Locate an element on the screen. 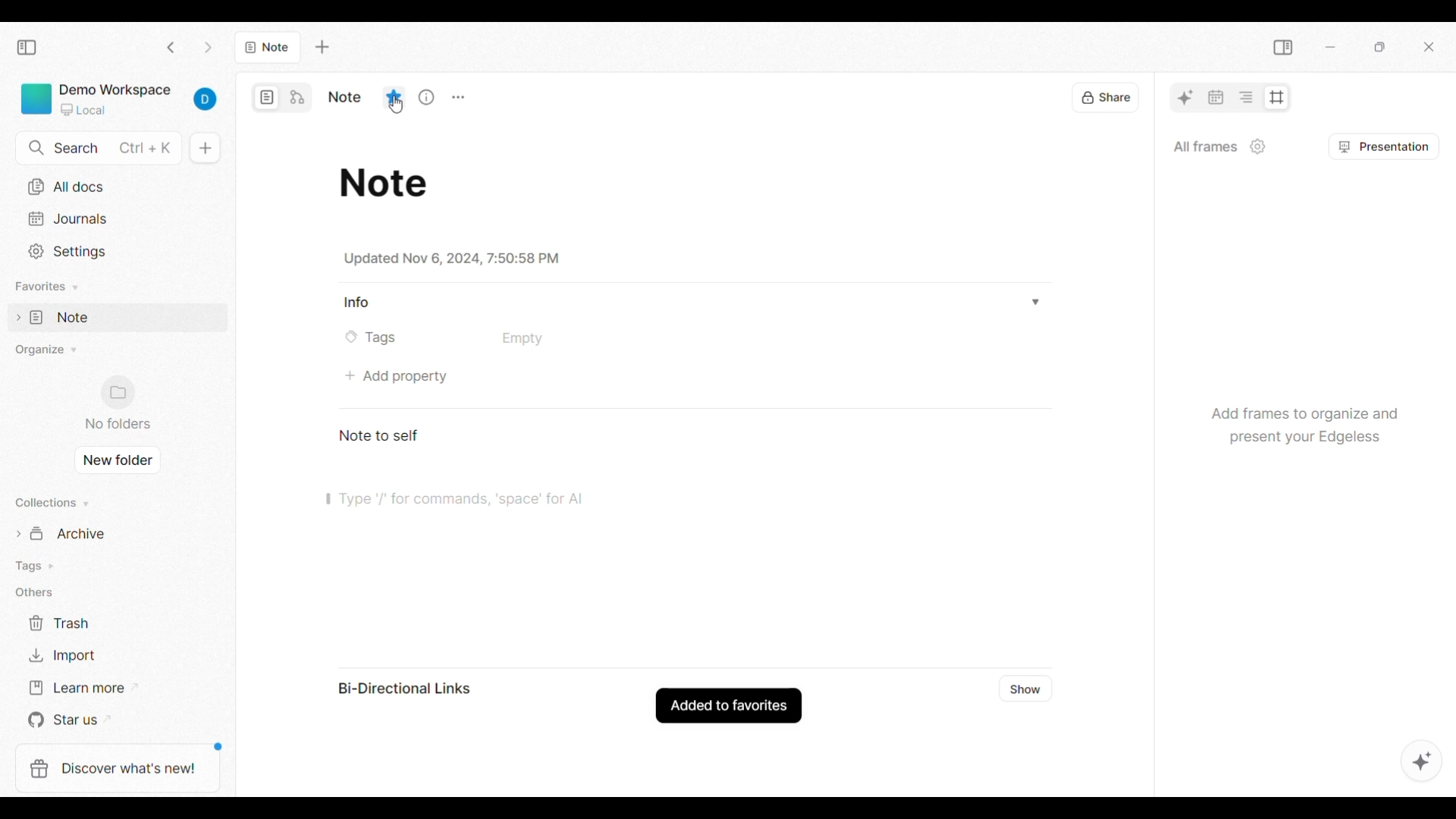  Add frames to organize and present your Edgeless is located at coordinates (1301, 421).